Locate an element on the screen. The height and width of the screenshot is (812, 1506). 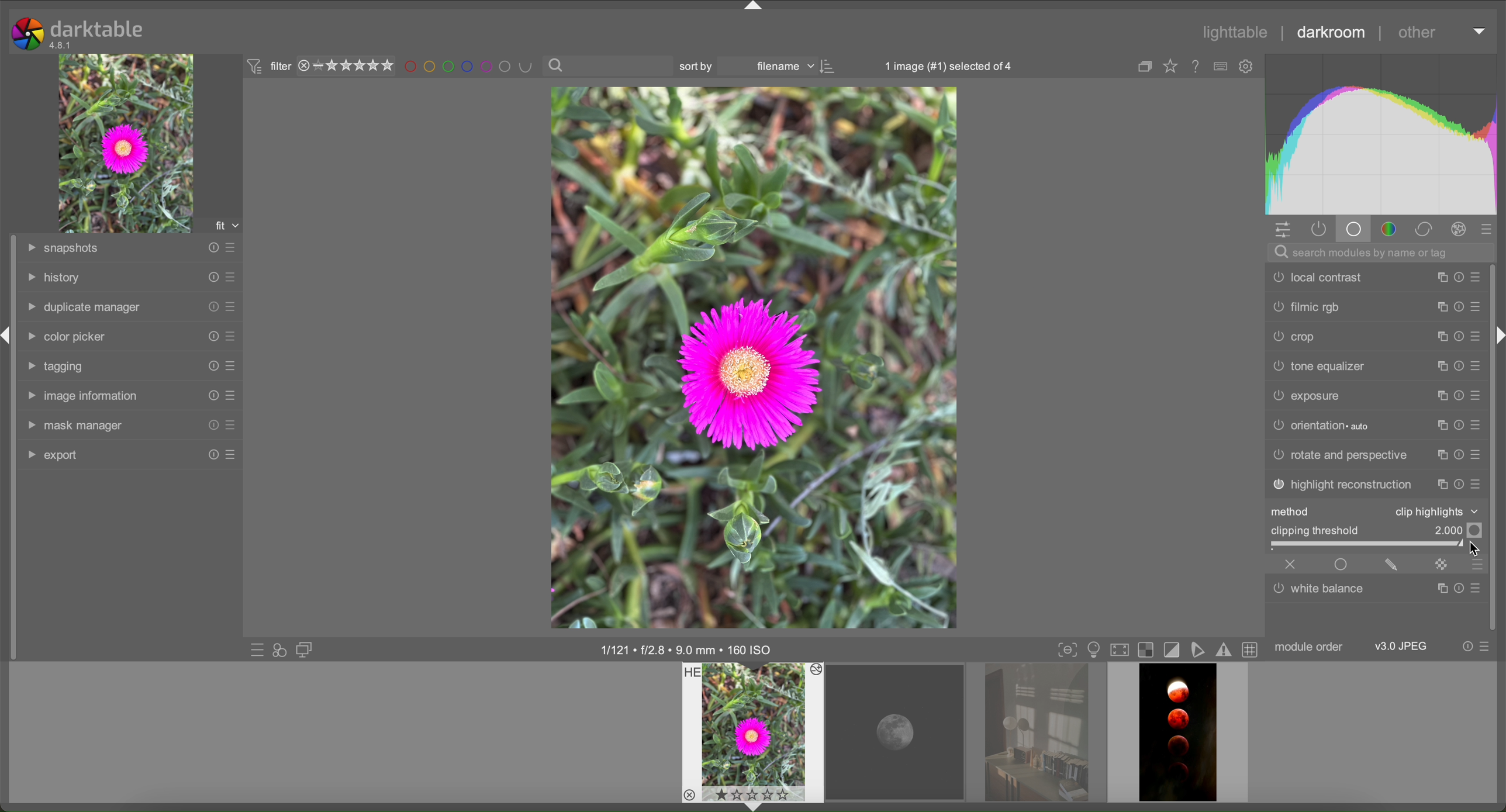
darktable is located at coordinates (98, 29).